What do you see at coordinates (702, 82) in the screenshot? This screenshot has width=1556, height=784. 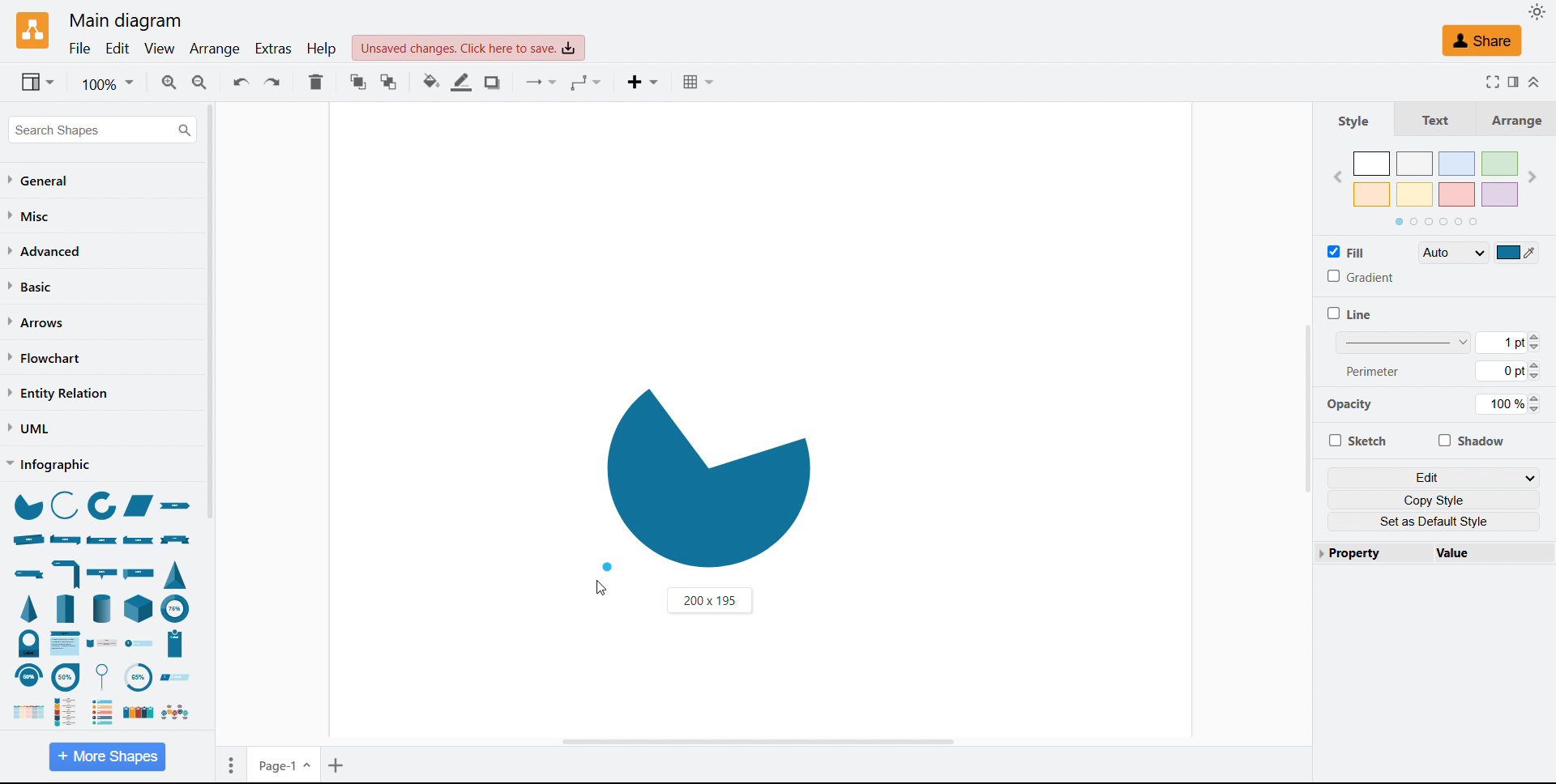 I see `Table ` at bounding box center [702, 82].